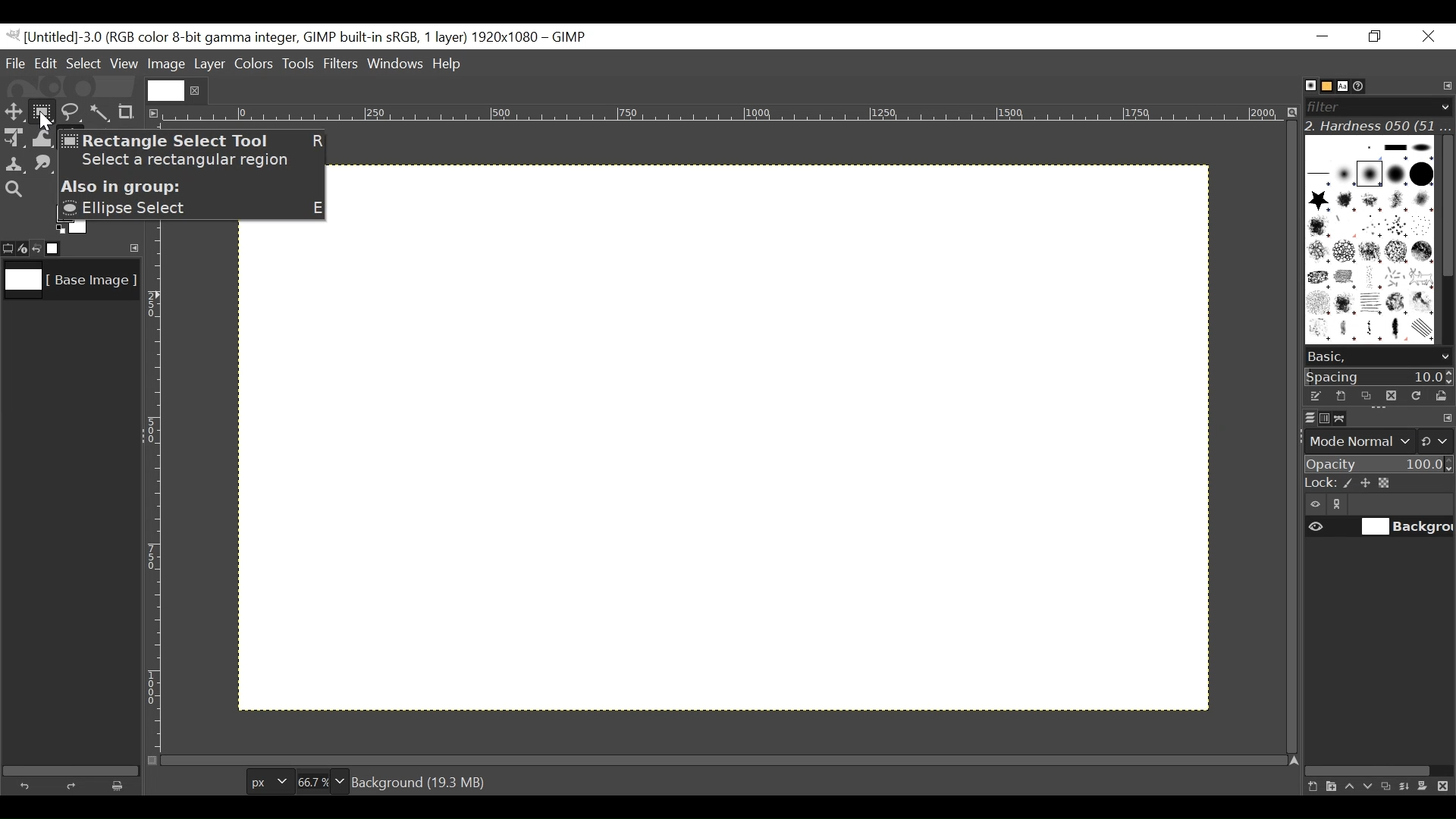 This screenshot has height=819, width=1456. I want to click on Move tool, so click(13, 110).